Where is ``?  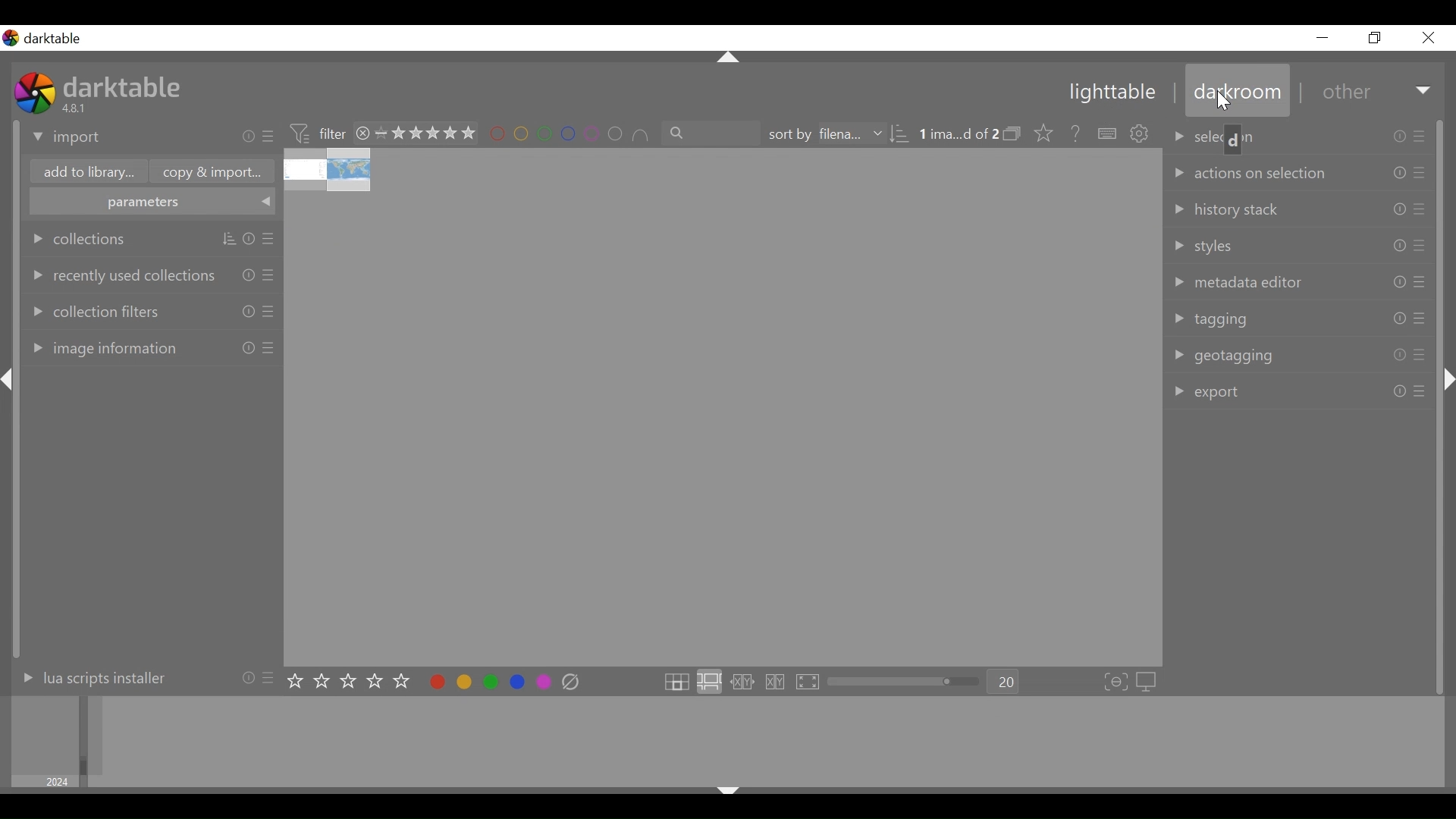  is located at coordinates (1421, 137).